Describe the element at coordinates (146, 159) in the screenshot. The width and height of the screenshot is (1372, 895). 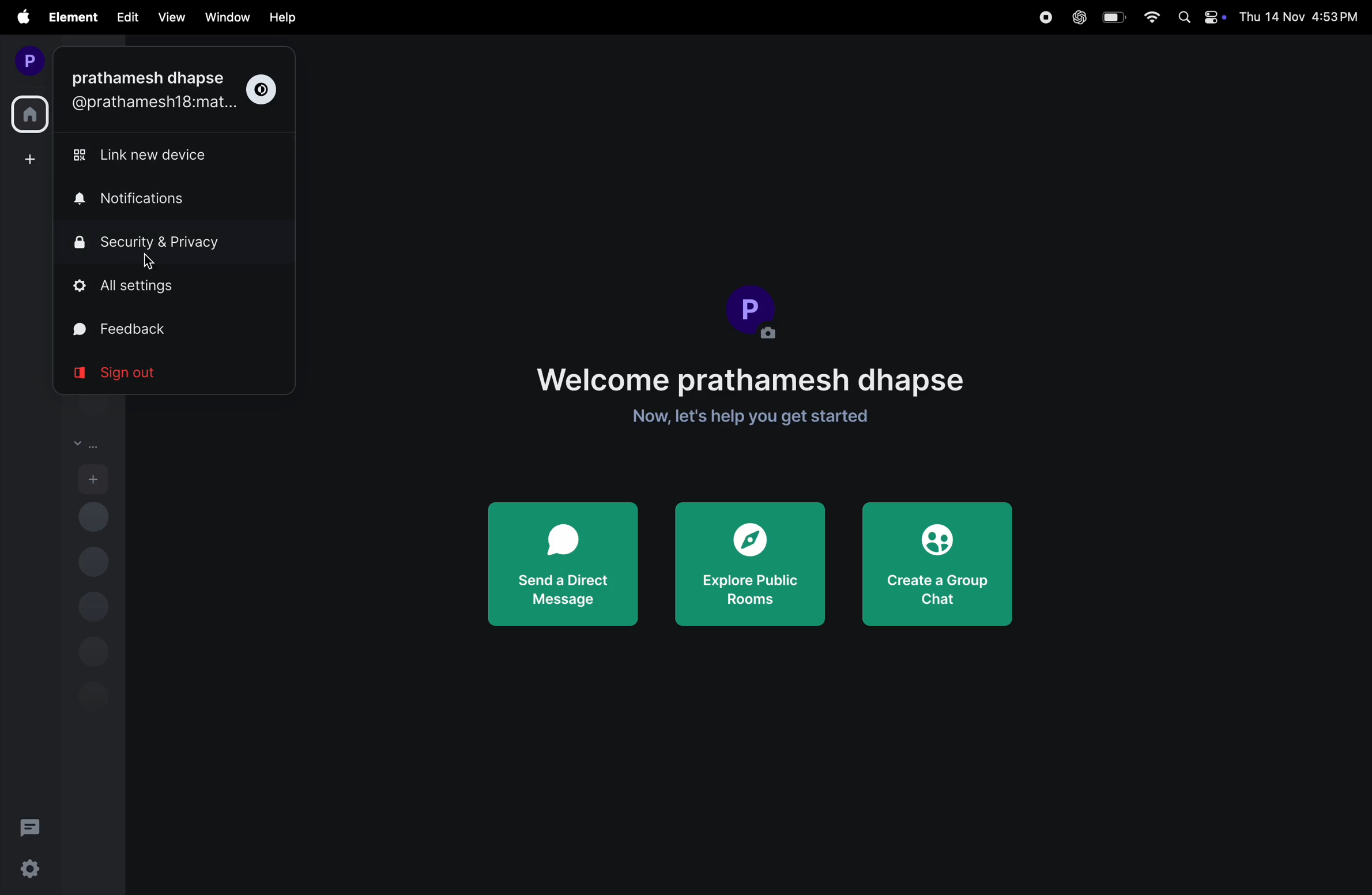
I see `link new device` at that location.